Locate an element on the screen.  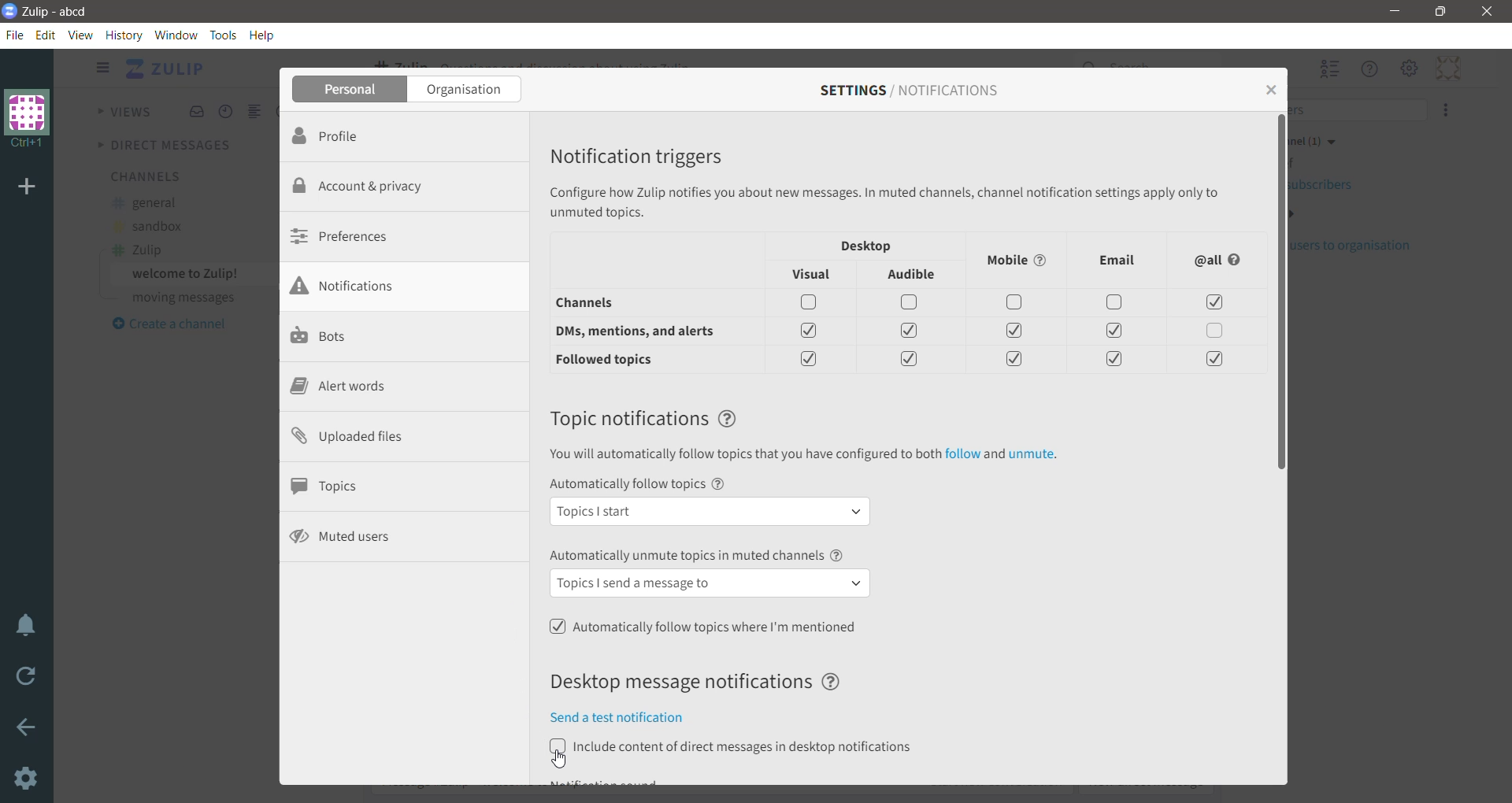
DMs, mentions, and alerts is located at coordinates (643, 331).